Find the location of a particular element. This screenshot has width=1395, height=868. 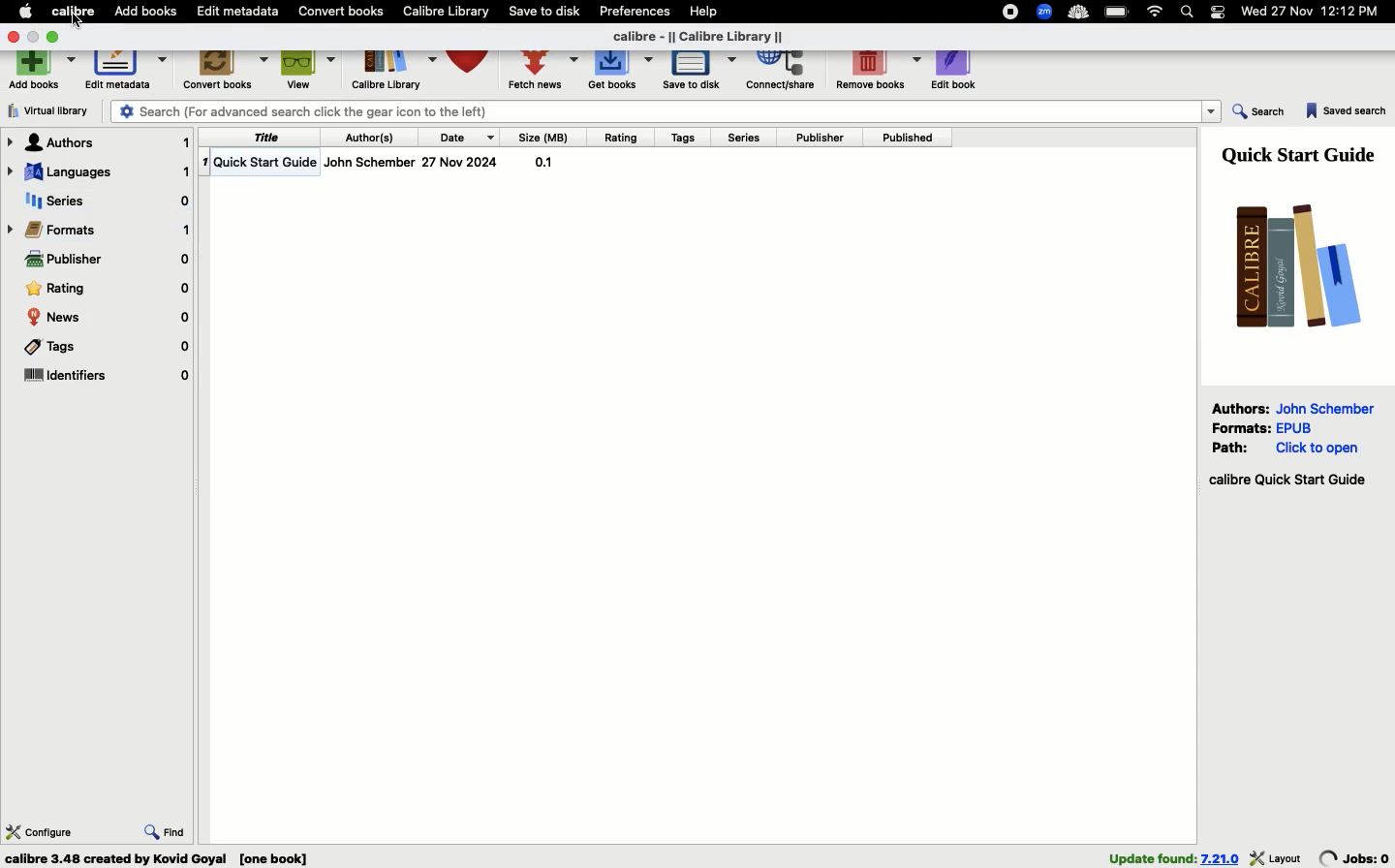

Convert books is located at coordinates (226, 72).